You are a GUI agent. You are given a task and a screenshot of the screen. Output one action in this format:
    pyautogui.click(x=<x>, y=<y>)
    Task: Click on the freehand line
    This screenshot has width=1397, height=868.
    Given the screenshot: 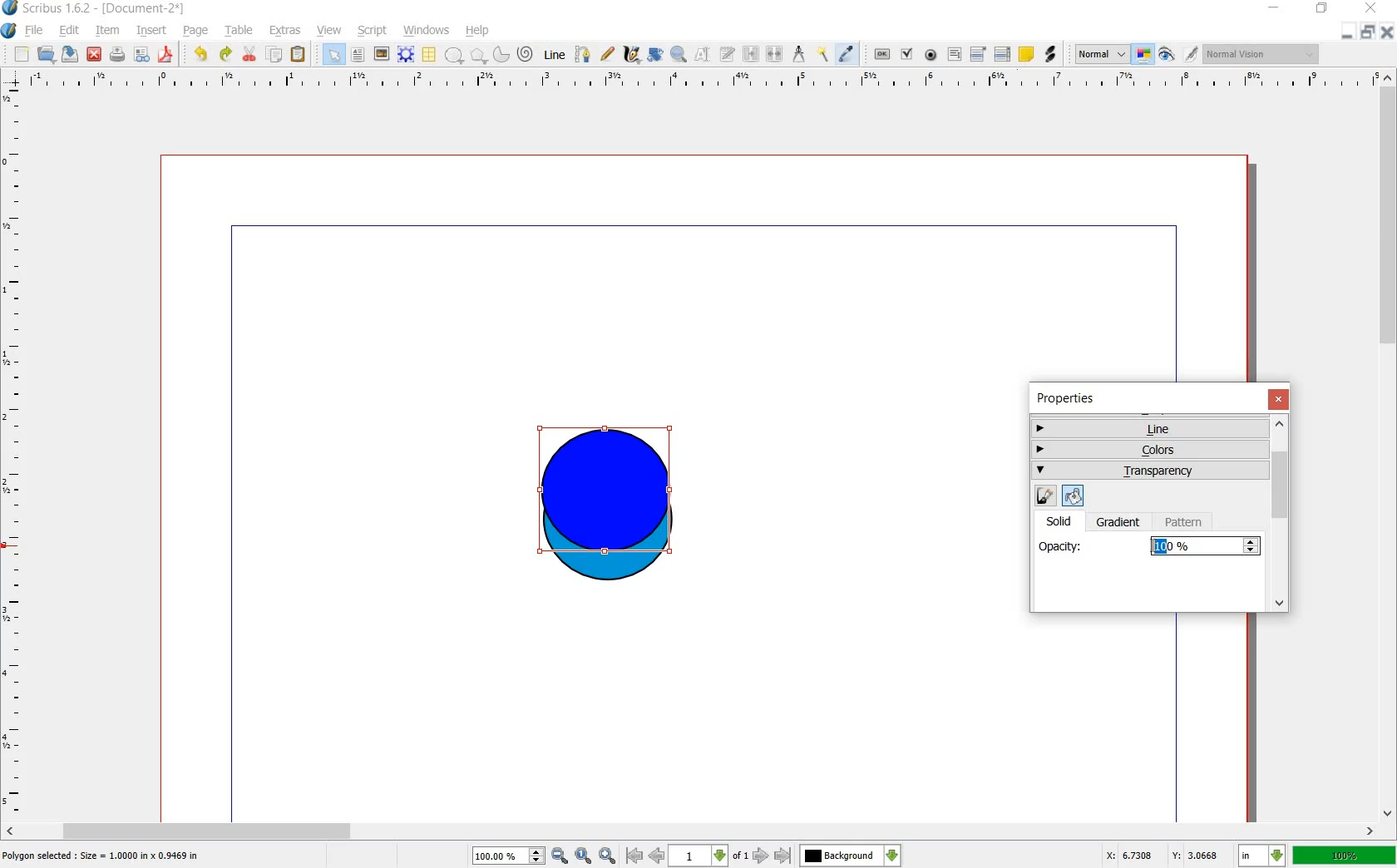 What is the action you would take?
    pyautogui.click(x=609, y=54)
    